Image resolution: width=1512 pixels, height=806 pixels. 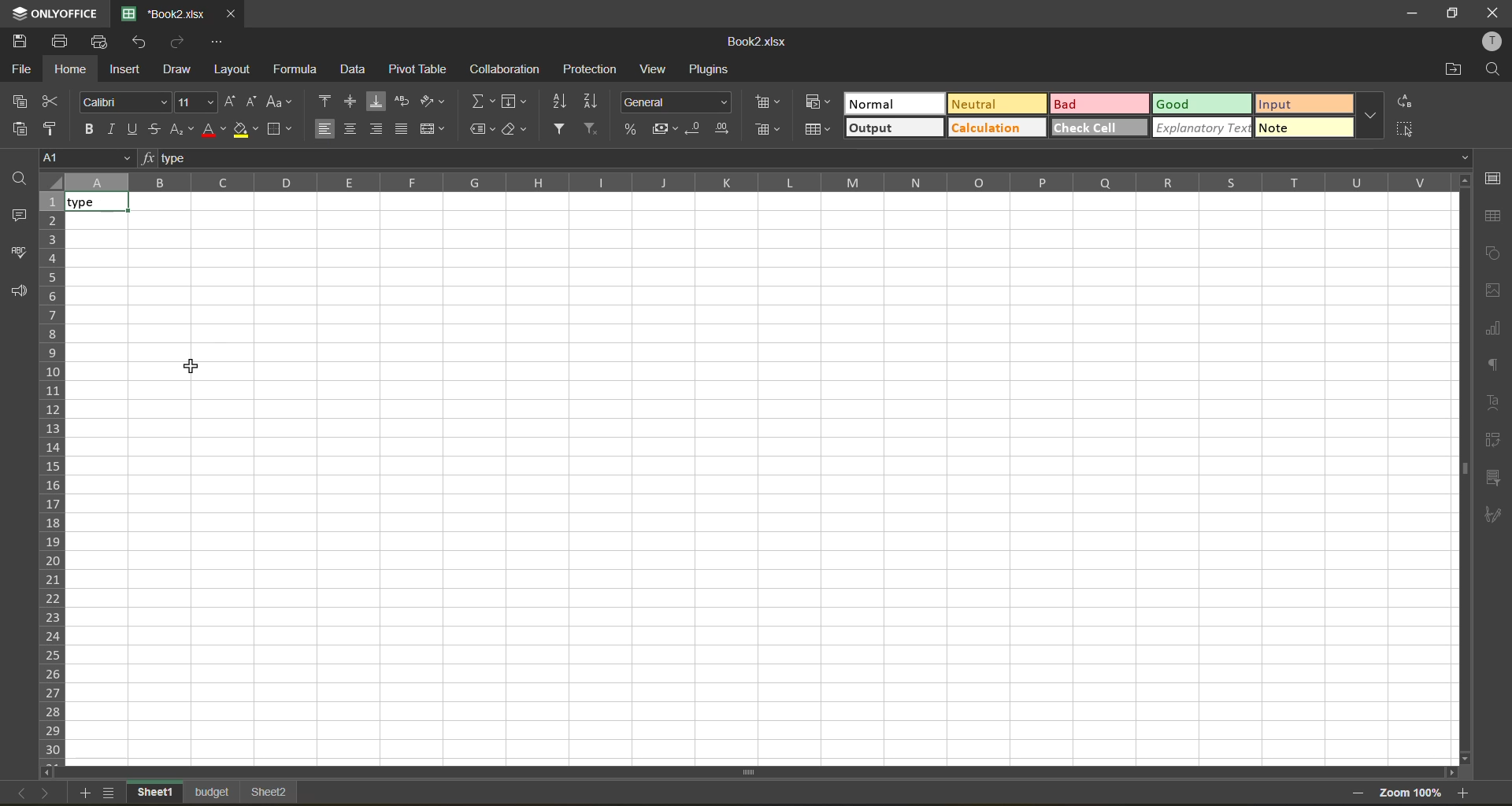 I want to click on zoom in, so click(x=1467, y=792).